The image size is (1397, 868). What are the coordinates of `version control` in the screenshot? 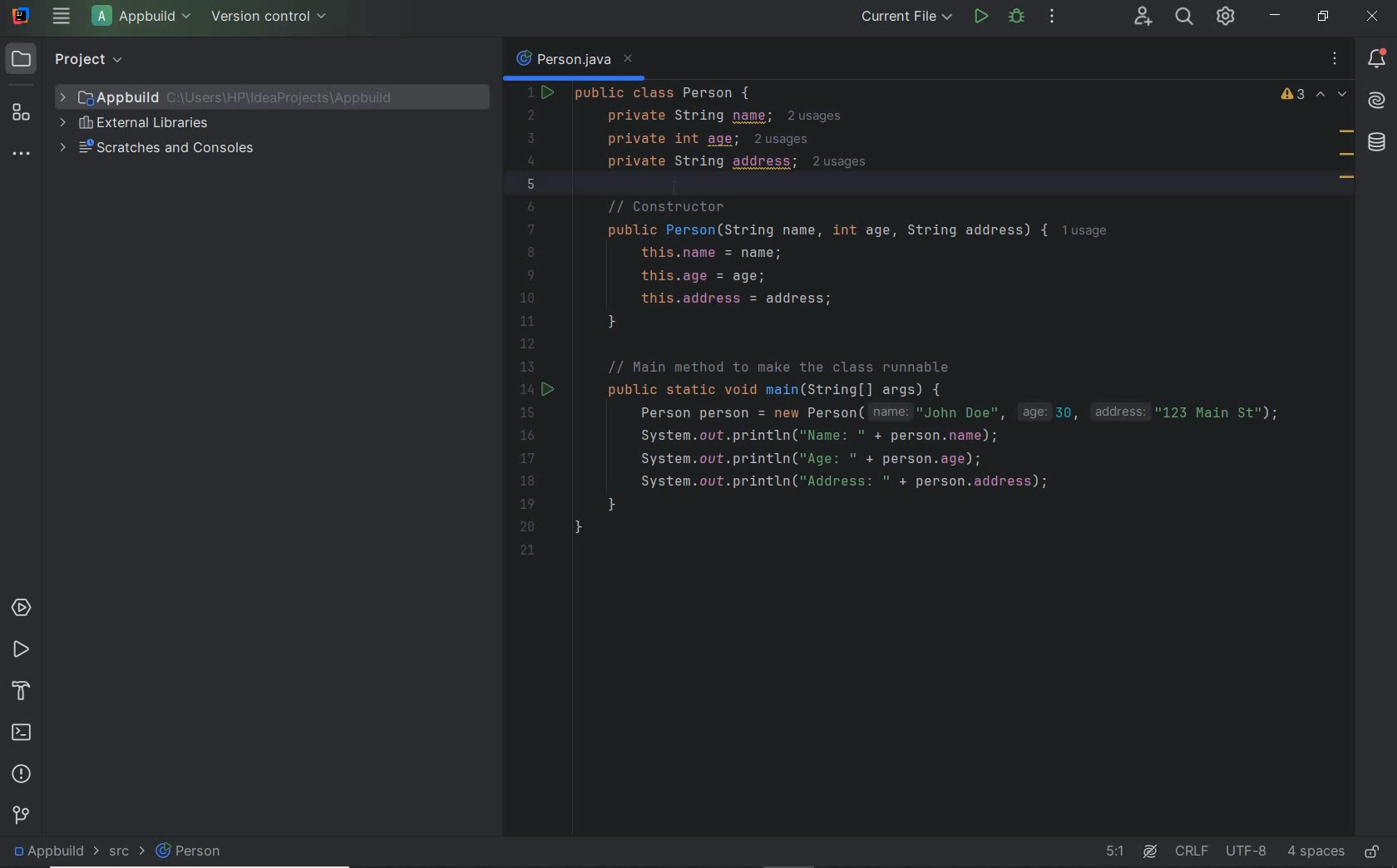 It's located at (22, 814).